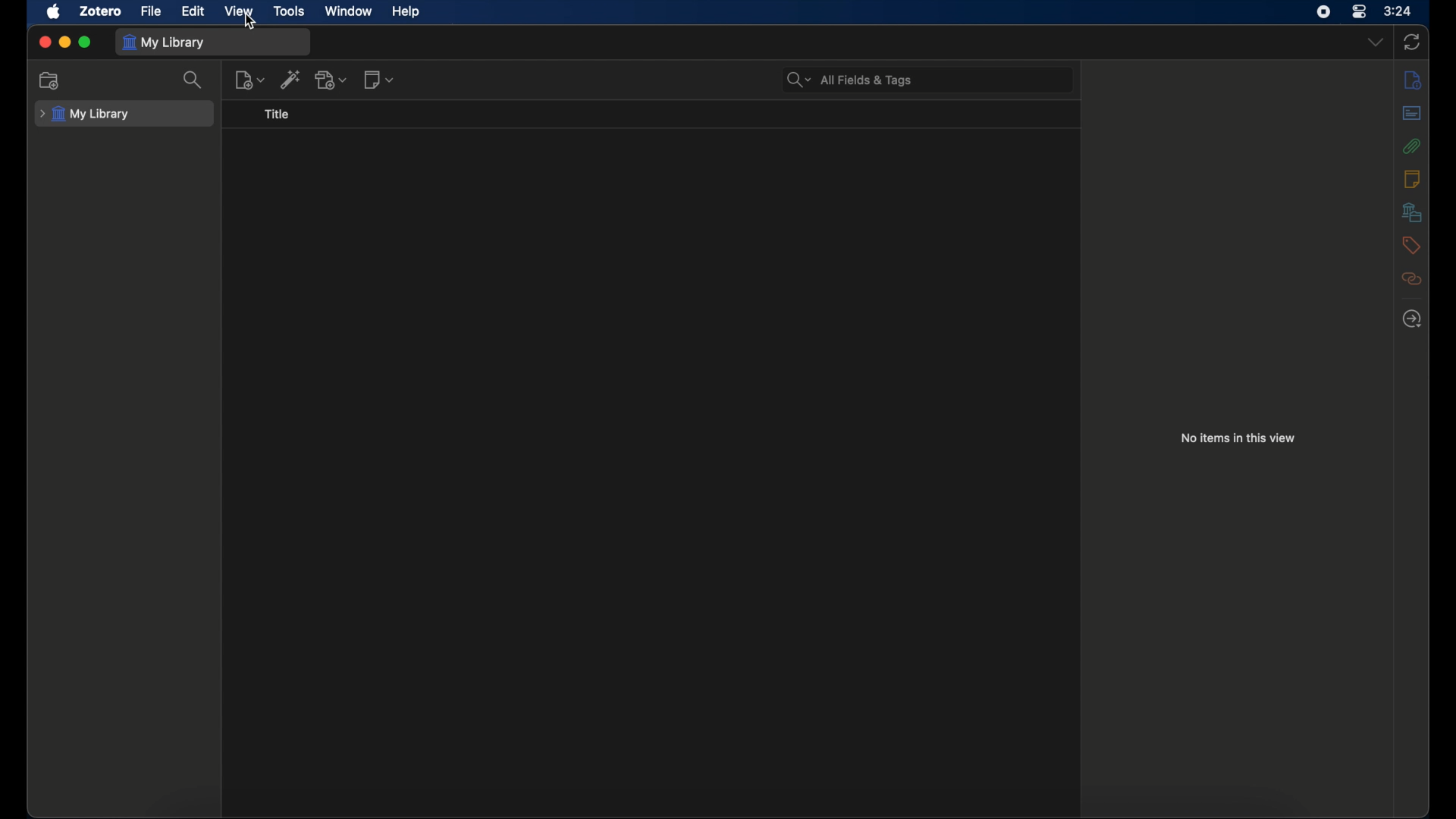 This screenshot has height=819, width=1456. Describe the element at coordinates (1412, 80) in the screenshot. I see `` at that location.